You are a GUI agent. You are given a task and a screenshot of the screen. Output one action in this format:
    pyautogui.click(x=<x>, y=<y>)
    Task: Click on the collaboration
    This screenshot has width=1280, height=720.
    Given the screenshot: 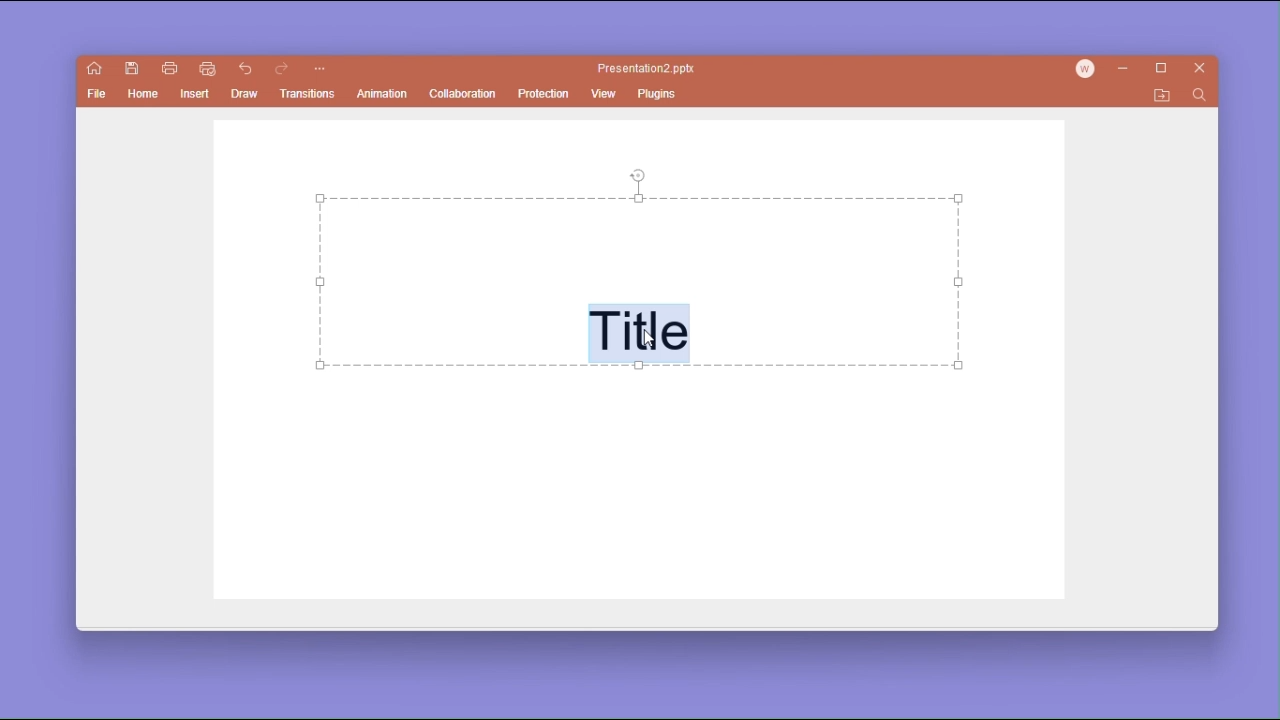 What is the action you would take?
    pyautogui.click(x=462, y=93)
    